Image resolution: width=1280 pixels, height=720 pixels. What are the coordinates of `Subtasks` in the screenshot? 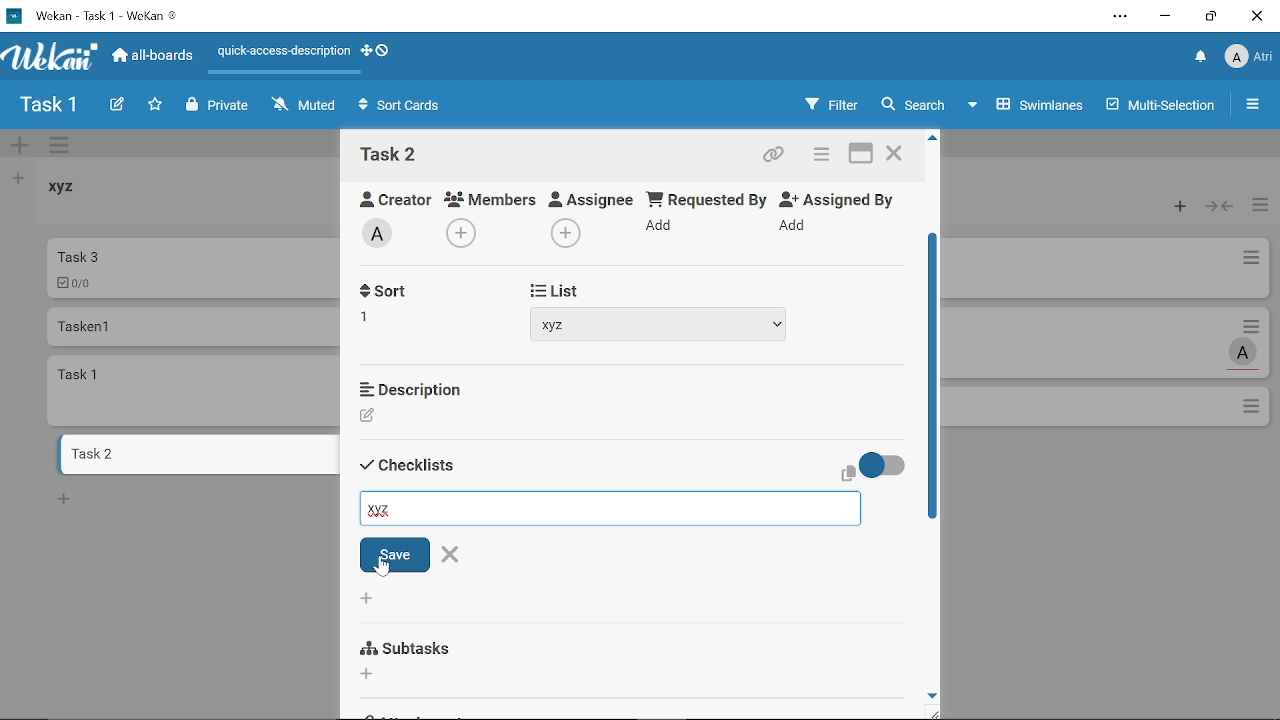 It's located at (418, 646).